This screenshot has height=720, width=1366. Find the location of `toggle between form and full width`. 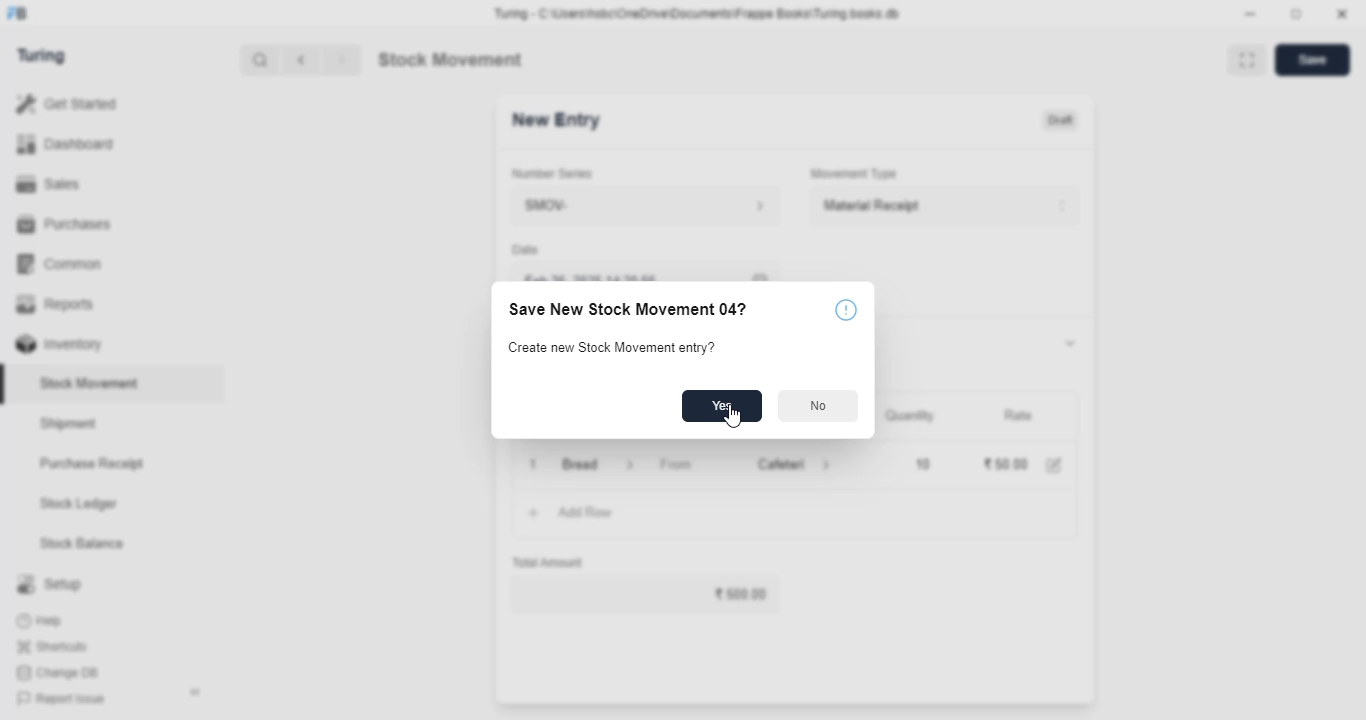

toggle between form and full width is located at coordinates (1247, 60).